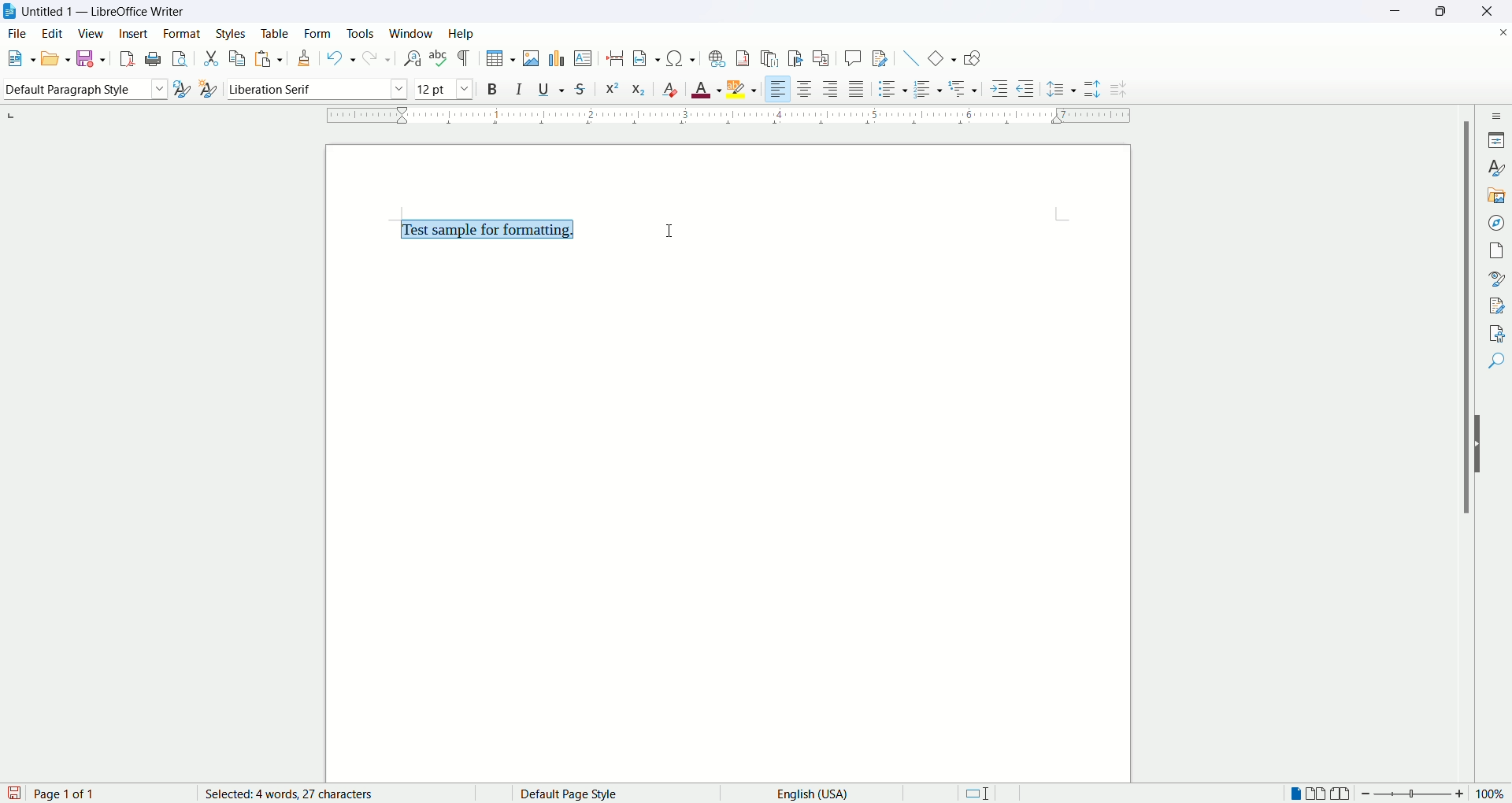 The height and width of the screenshot is (803, 1512). What do you see at coordinates (497, 59) in the screenshot?
I see `insert table` at bounding box center [497, 59].